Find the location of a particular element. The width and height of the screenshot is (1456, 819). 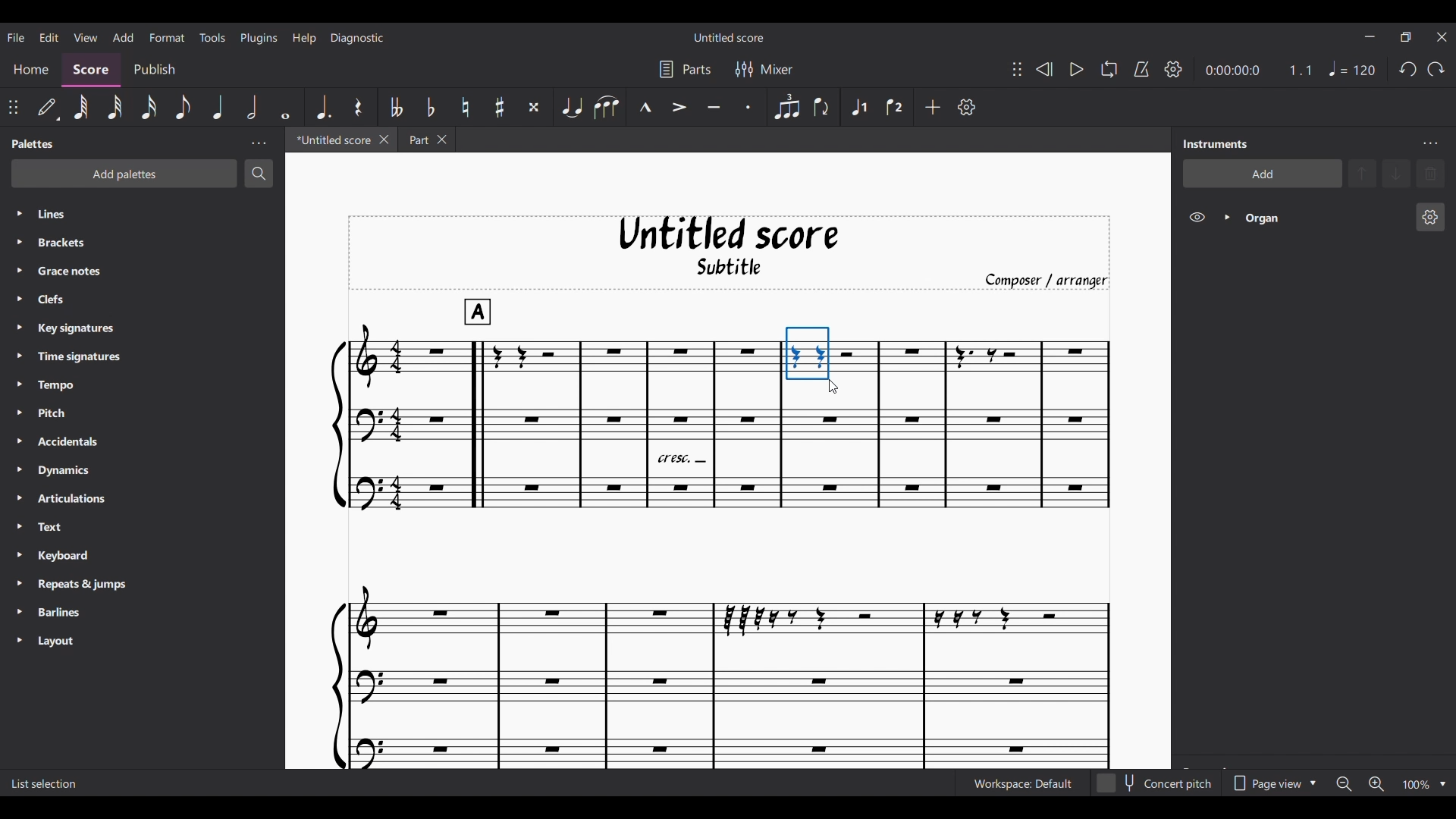

Voice 1 is located at coordinates (859, 108).